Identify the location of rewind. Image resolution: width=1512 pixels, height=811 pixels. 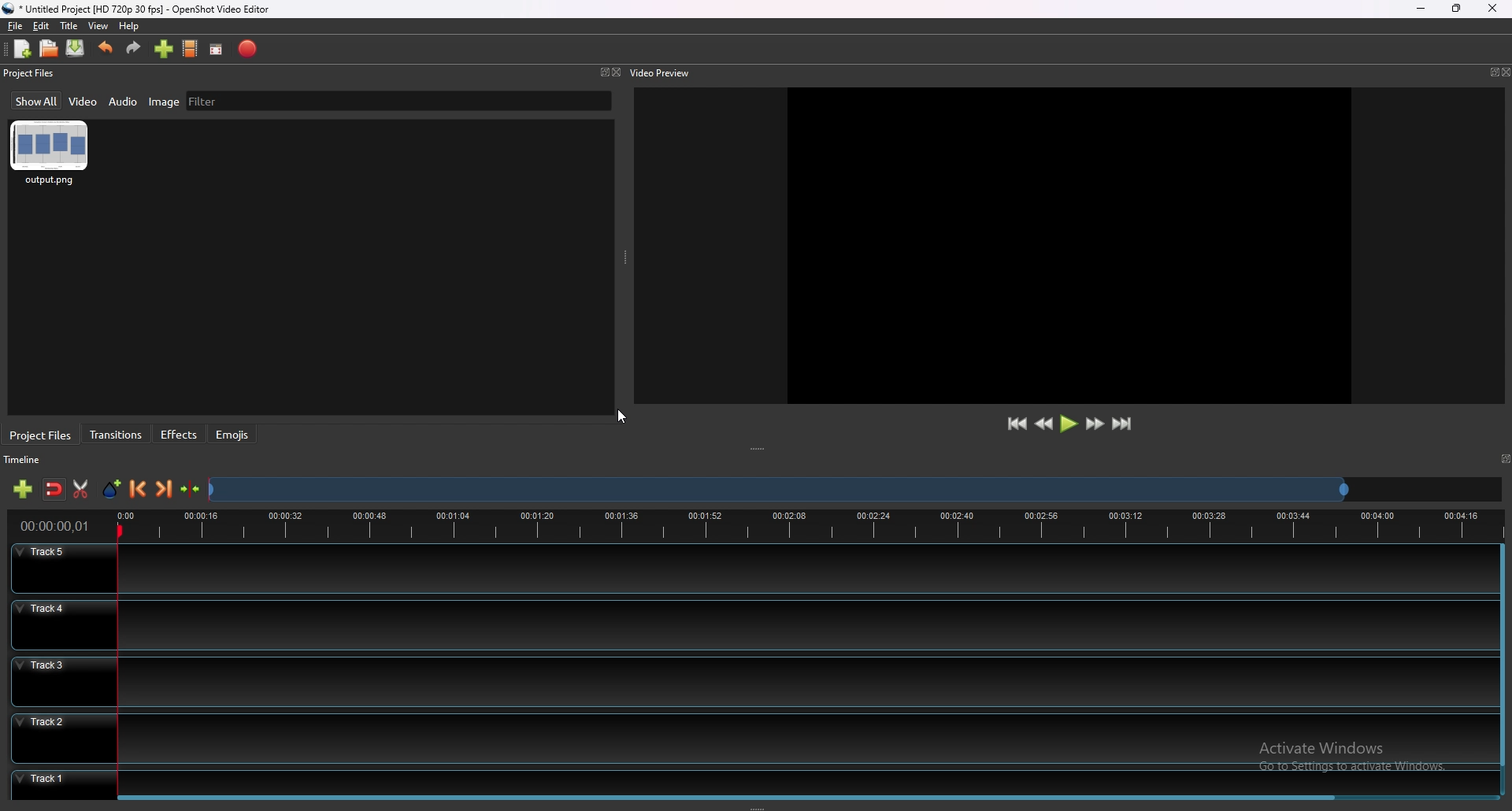
(1045, 424).